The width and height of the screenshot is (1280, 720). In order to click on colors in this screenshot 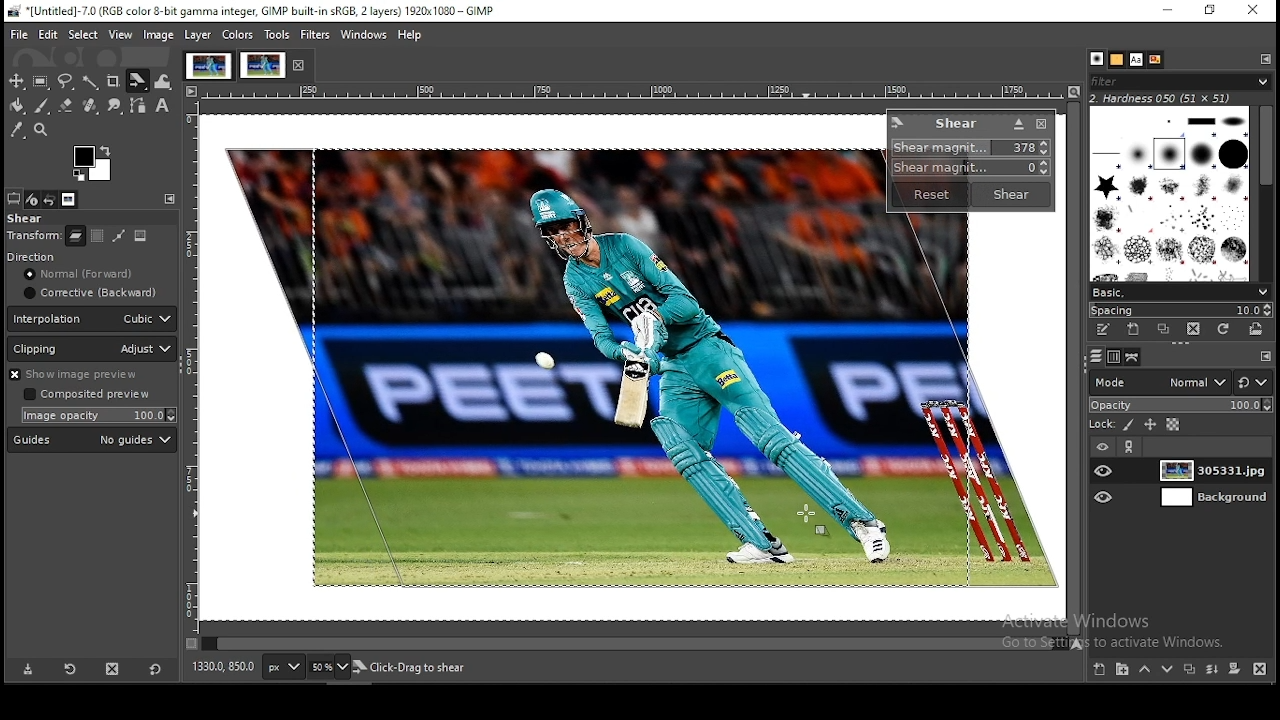, I will do `click(93, 161)`.